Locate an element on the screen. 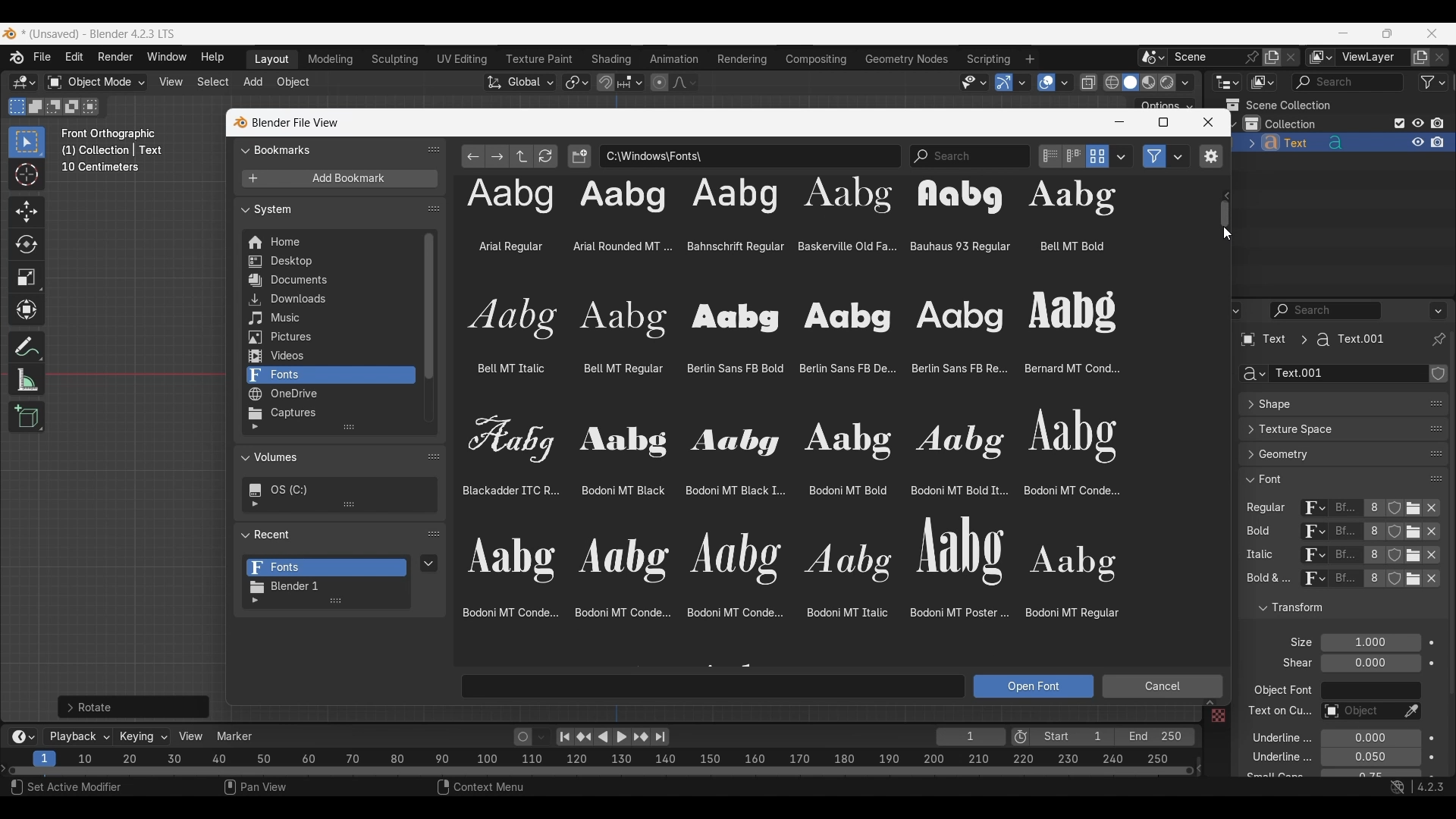  Change order in list is located at coordinates (434, 535).